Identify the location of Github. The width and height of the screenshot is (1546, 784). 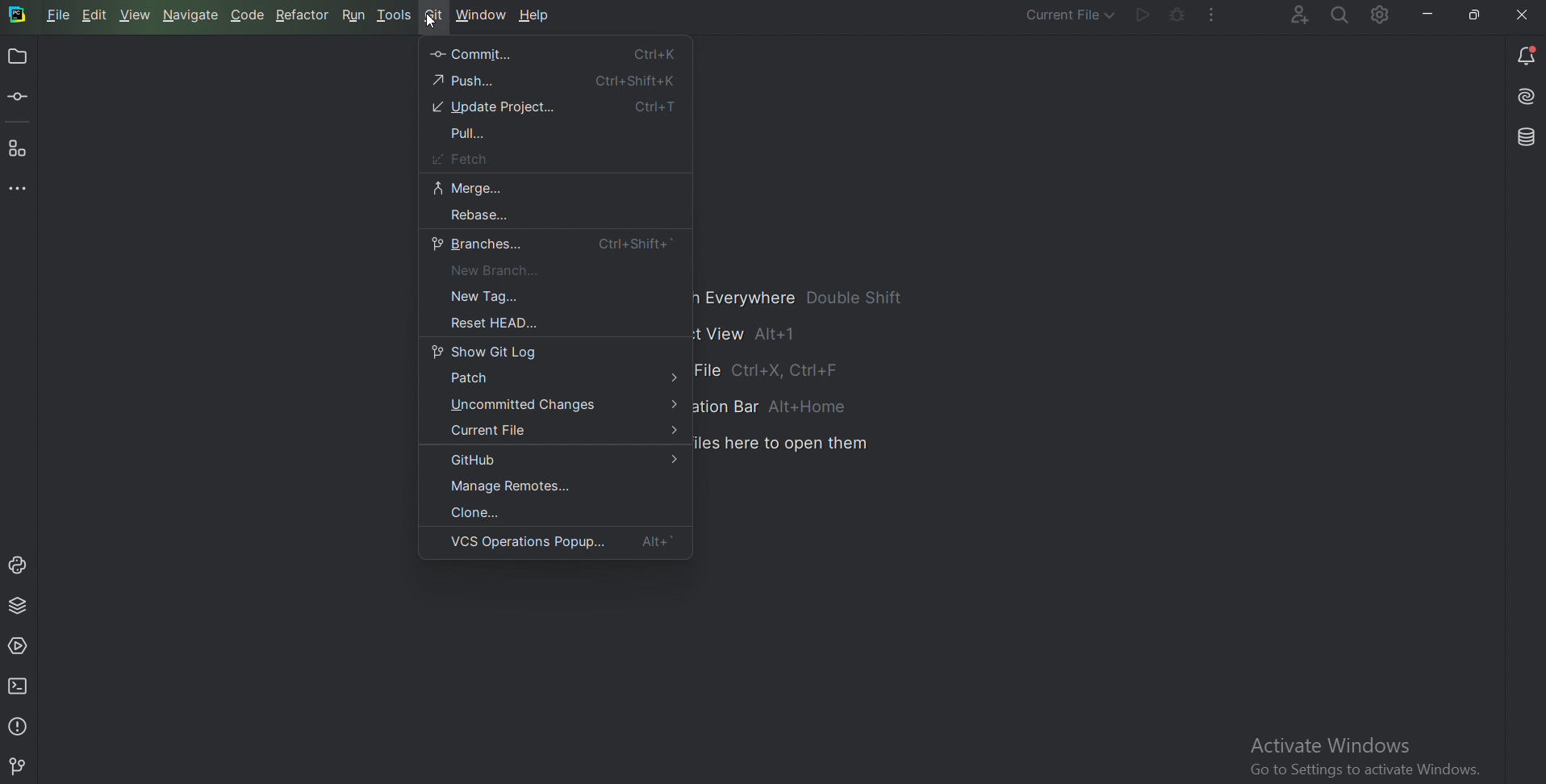
(561, 461).